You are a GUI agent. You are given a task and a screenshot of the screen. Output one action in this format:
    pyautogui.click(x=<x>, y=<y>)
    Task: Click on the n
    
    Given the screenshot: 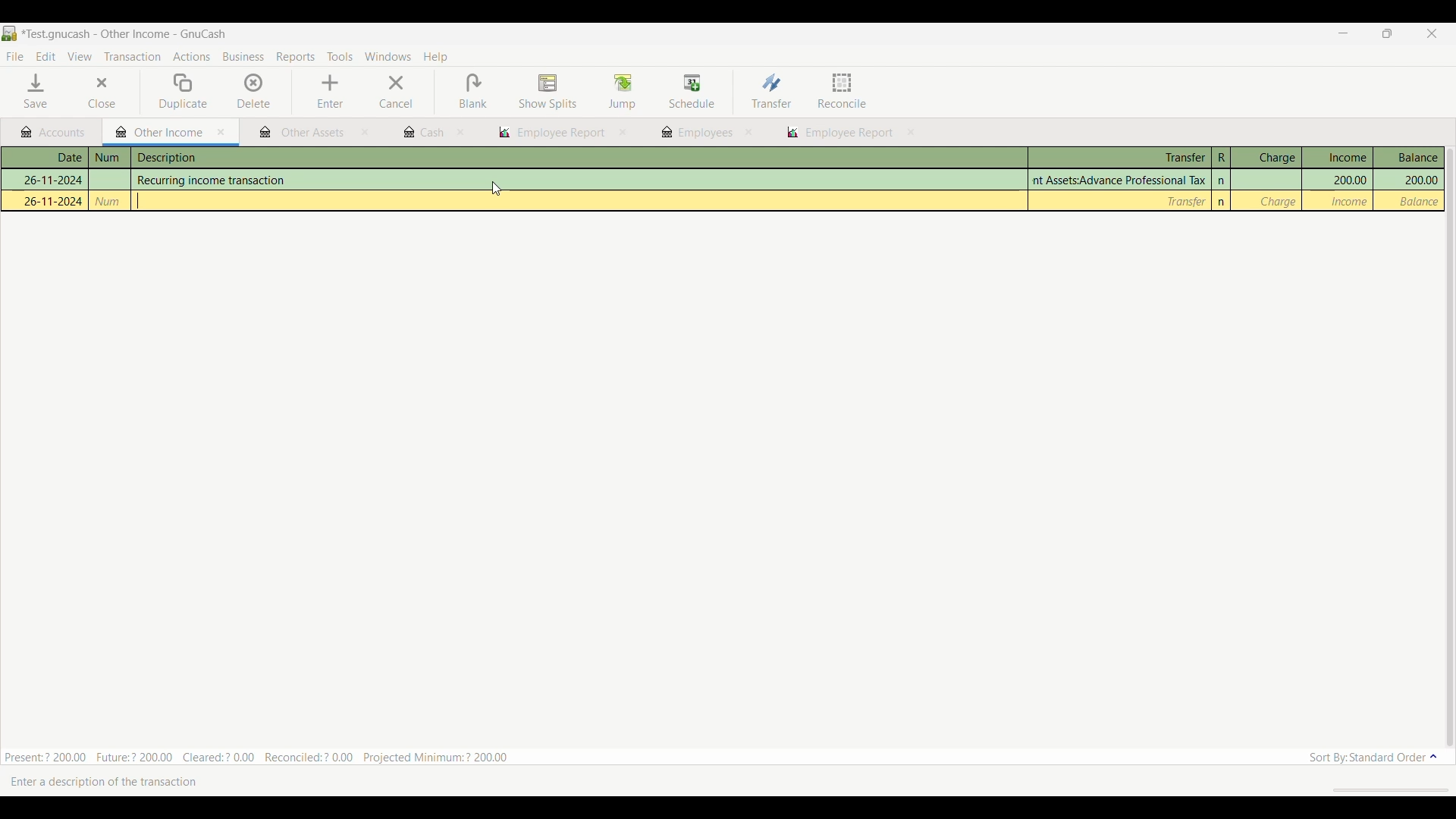 What is the action you would take?
    pyautogui.click(x=1223, y=202)
    